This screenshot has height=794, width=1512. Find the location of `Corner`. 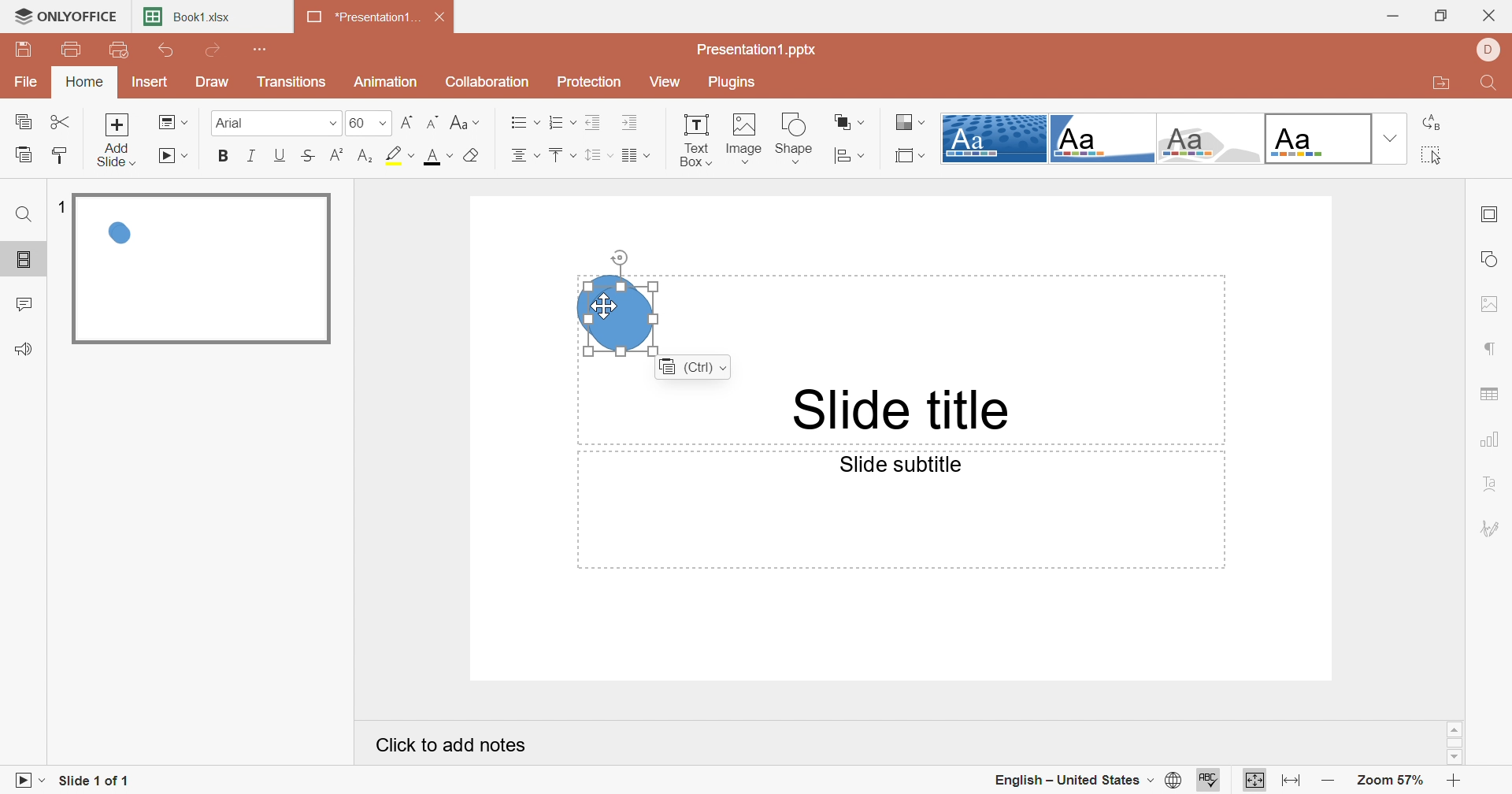

Corner is located at coordinates (1101, 142).